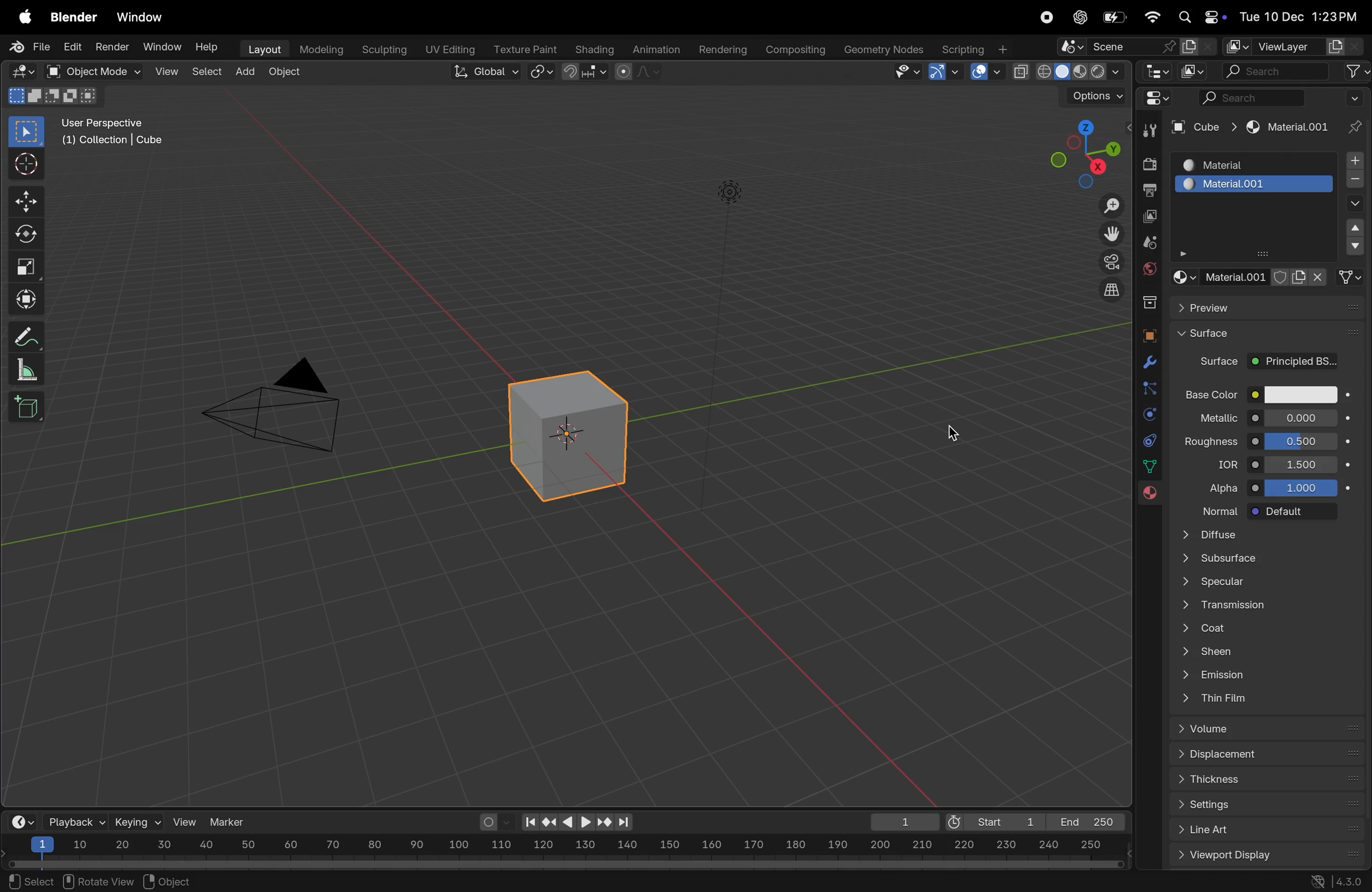 This screenshot has width=1372, height=892. What do you see at coordinates (1276, 71) in the screenshot?
I see `search` at bounding box center [1276, 71].